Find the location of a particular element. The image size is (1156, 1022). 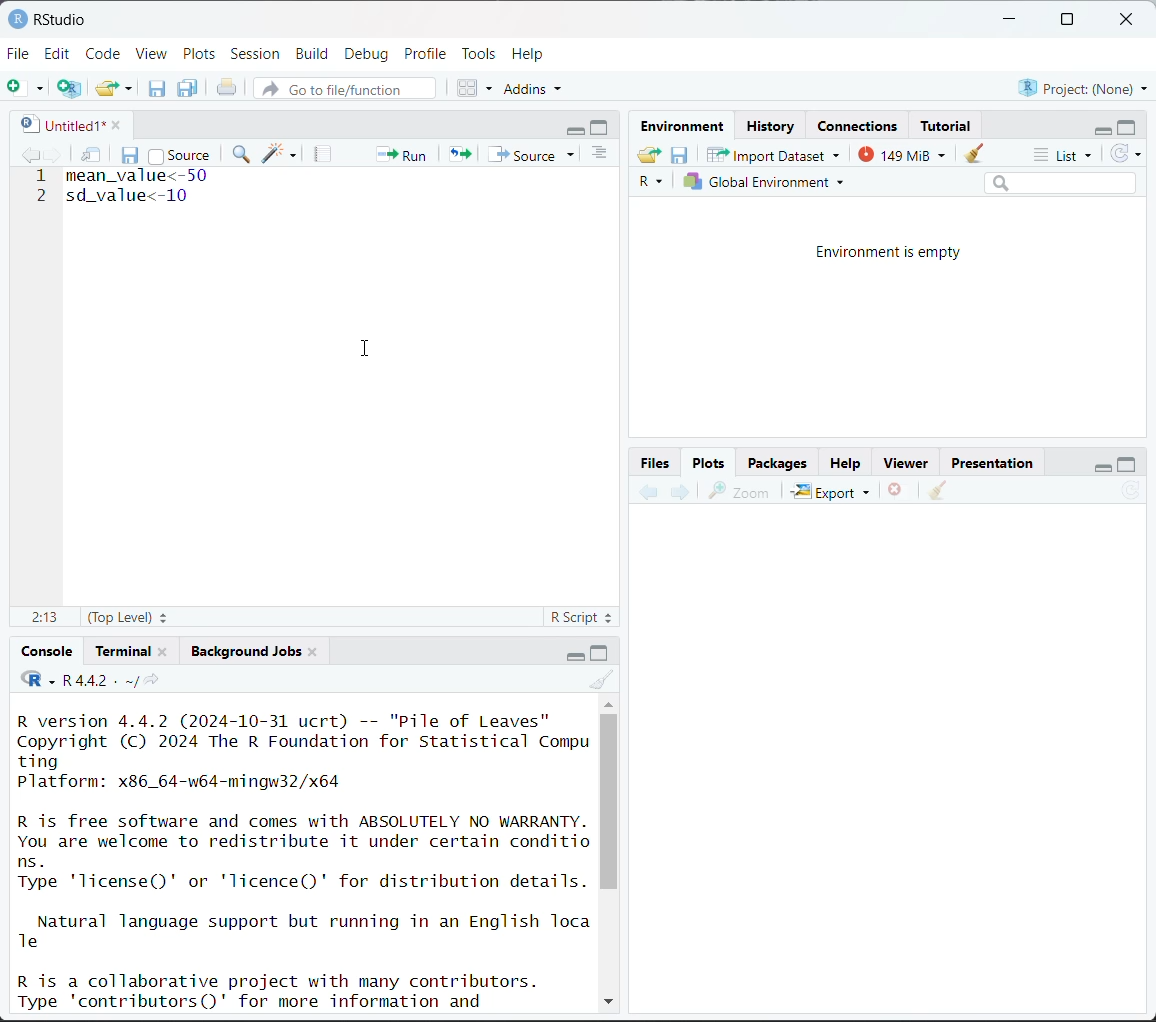

(top level) is located at coordinates (130, 617).